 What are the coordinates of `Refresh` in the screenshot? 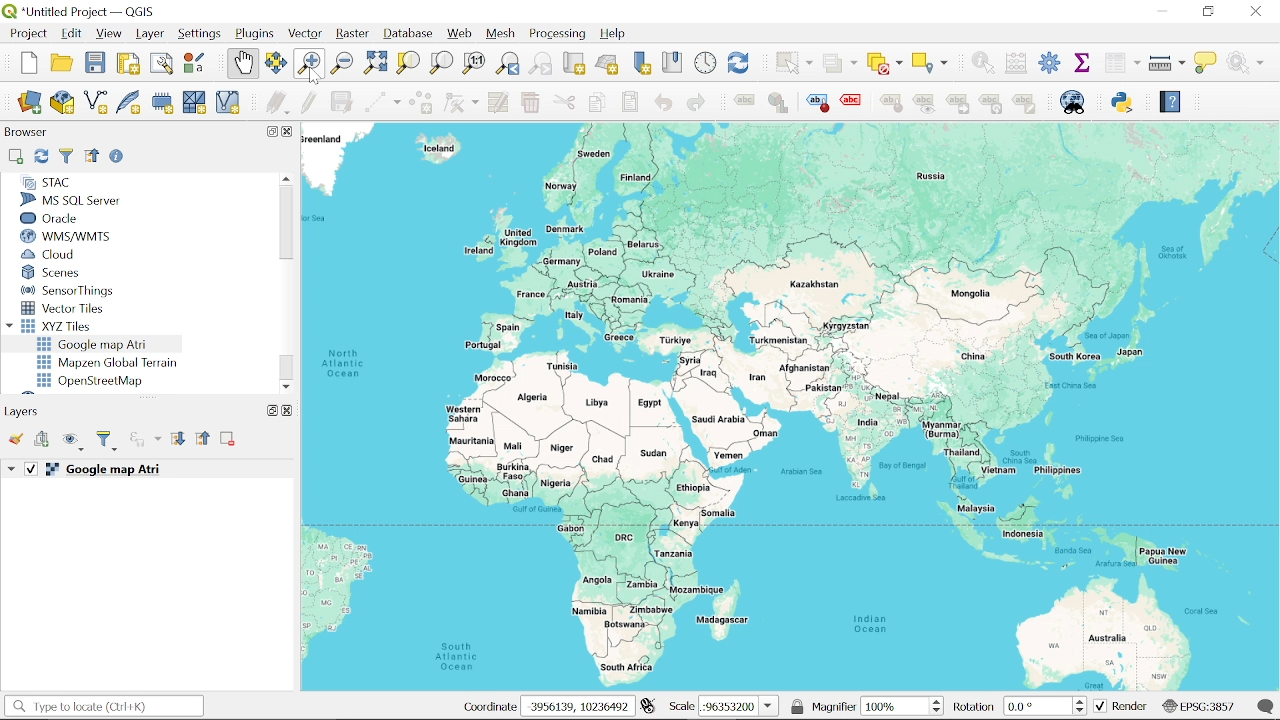 It's located at (40, 157).